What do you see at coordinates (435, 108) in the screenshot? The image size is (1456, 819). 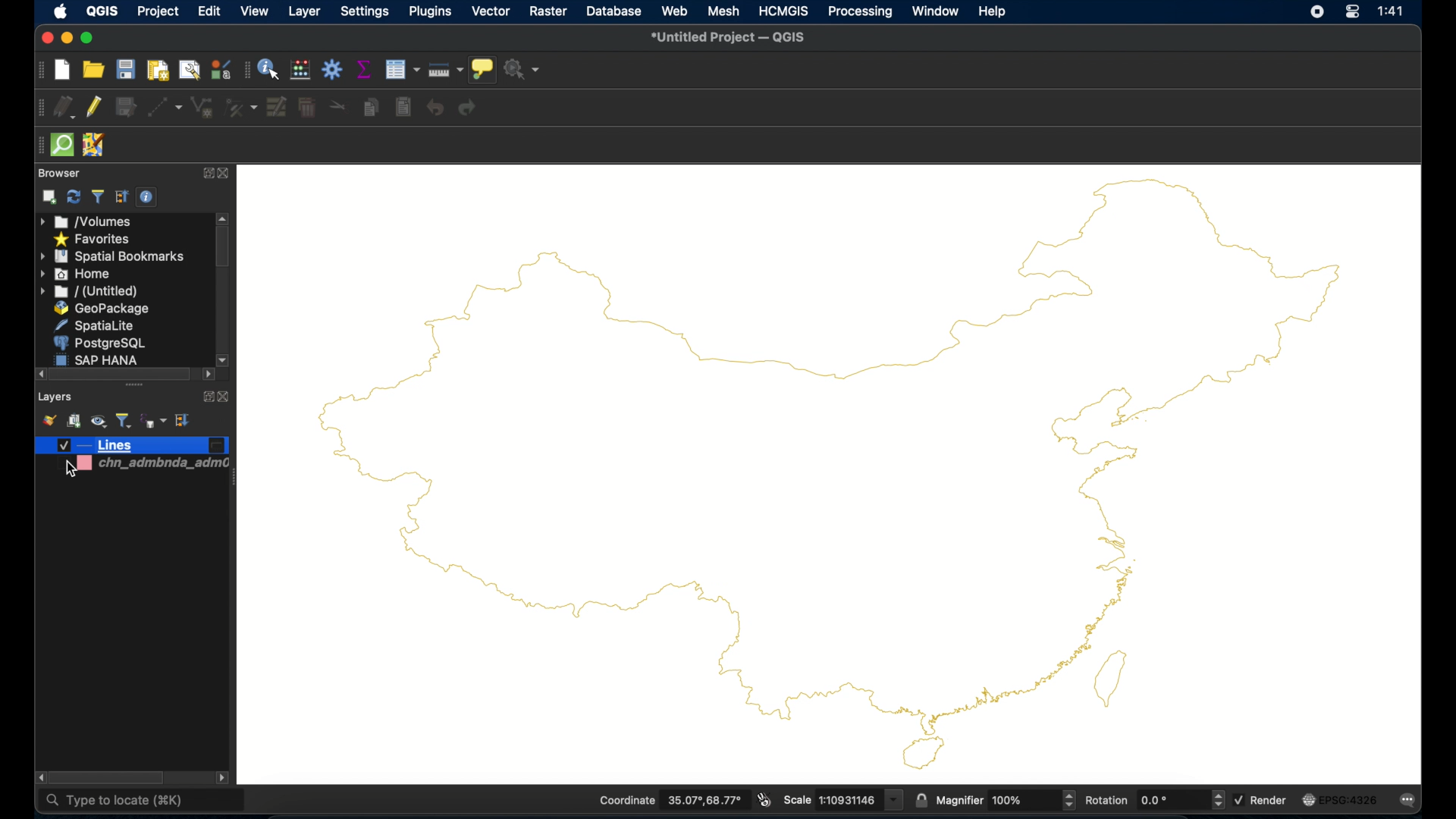 I see `undo` at bounding box center [435, 108].